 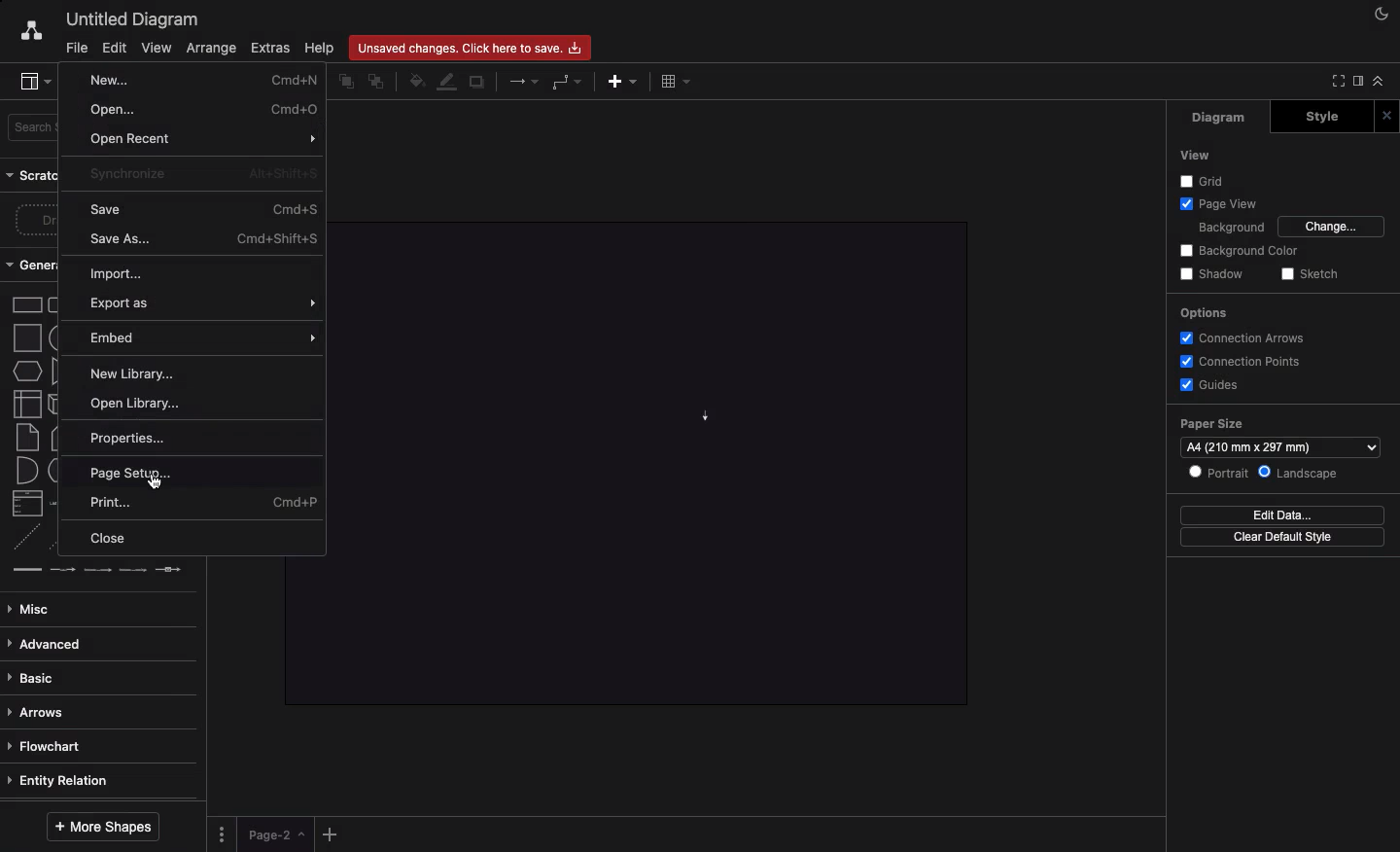 What do you see at coordinates (1217, 472) in the screenshot?
I see `Portrait` at bounding box center [1217, 472].